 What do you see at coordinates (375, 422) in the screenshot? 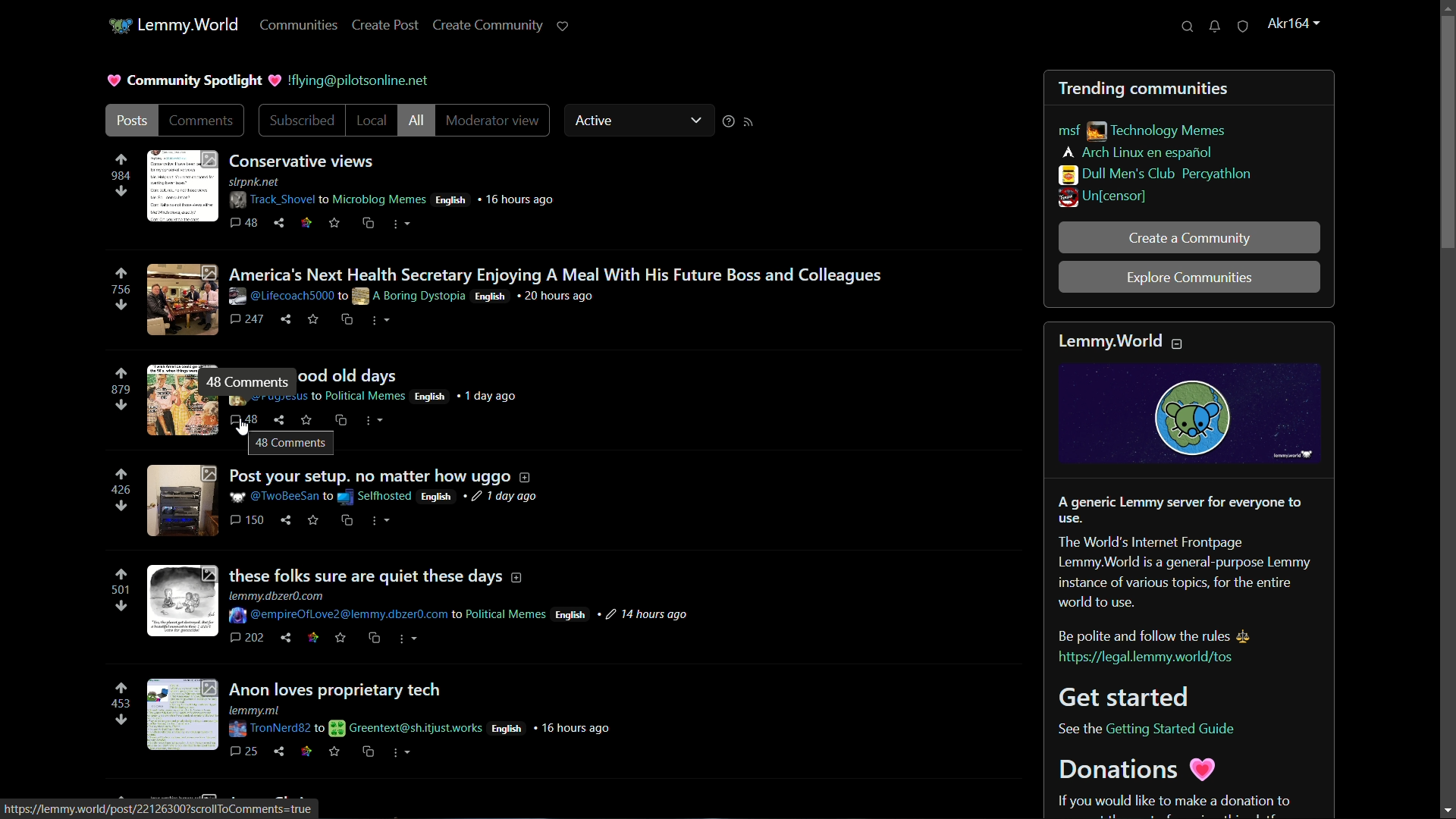
I see `more options` at bounding box center [375, 422].